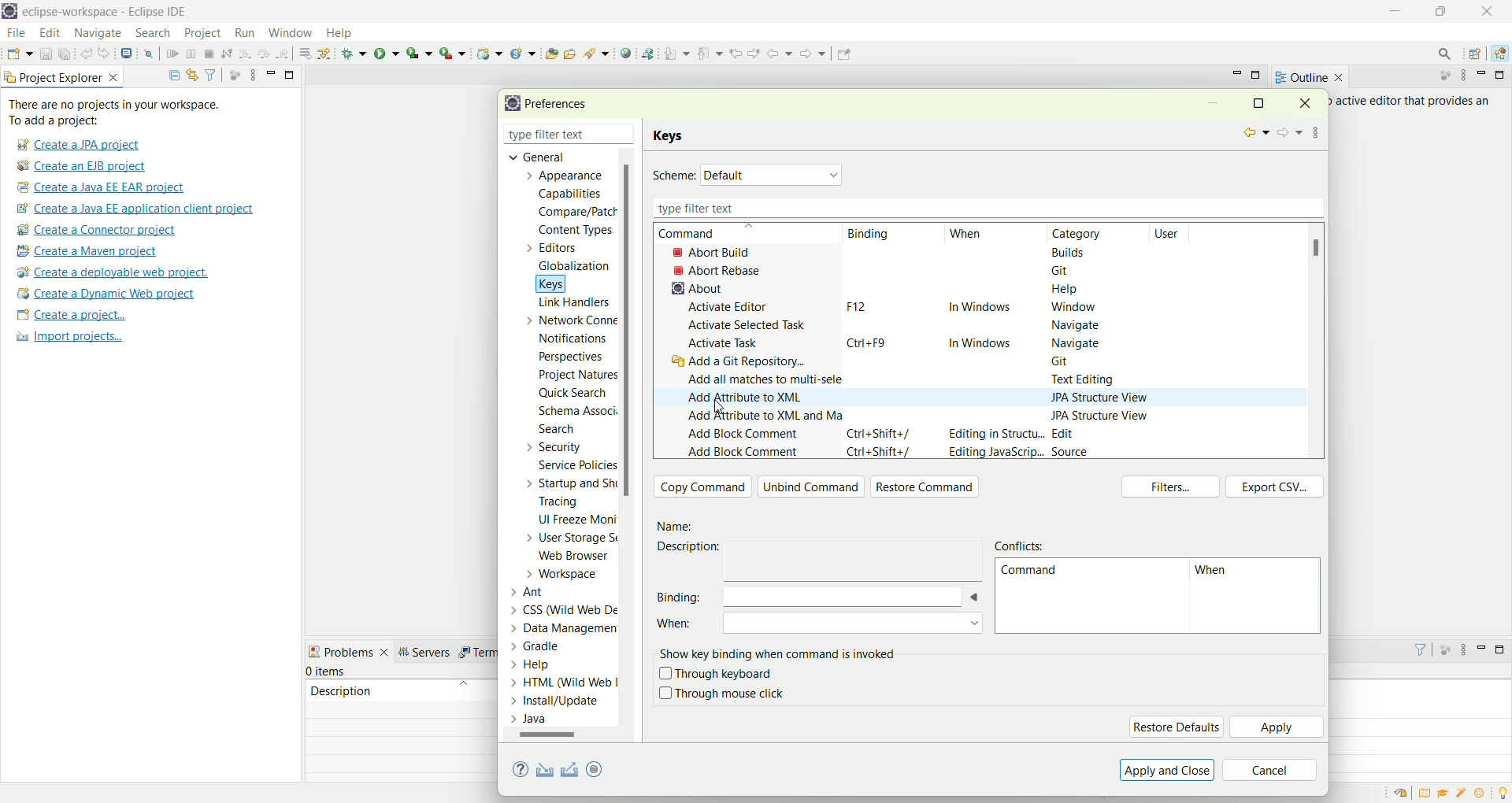 The image size is (1512, 803). What do you see at coordinates (1014, 435) in the screenshot?
I see `editing in structure...Edit` at bounding box center [1014, 435].